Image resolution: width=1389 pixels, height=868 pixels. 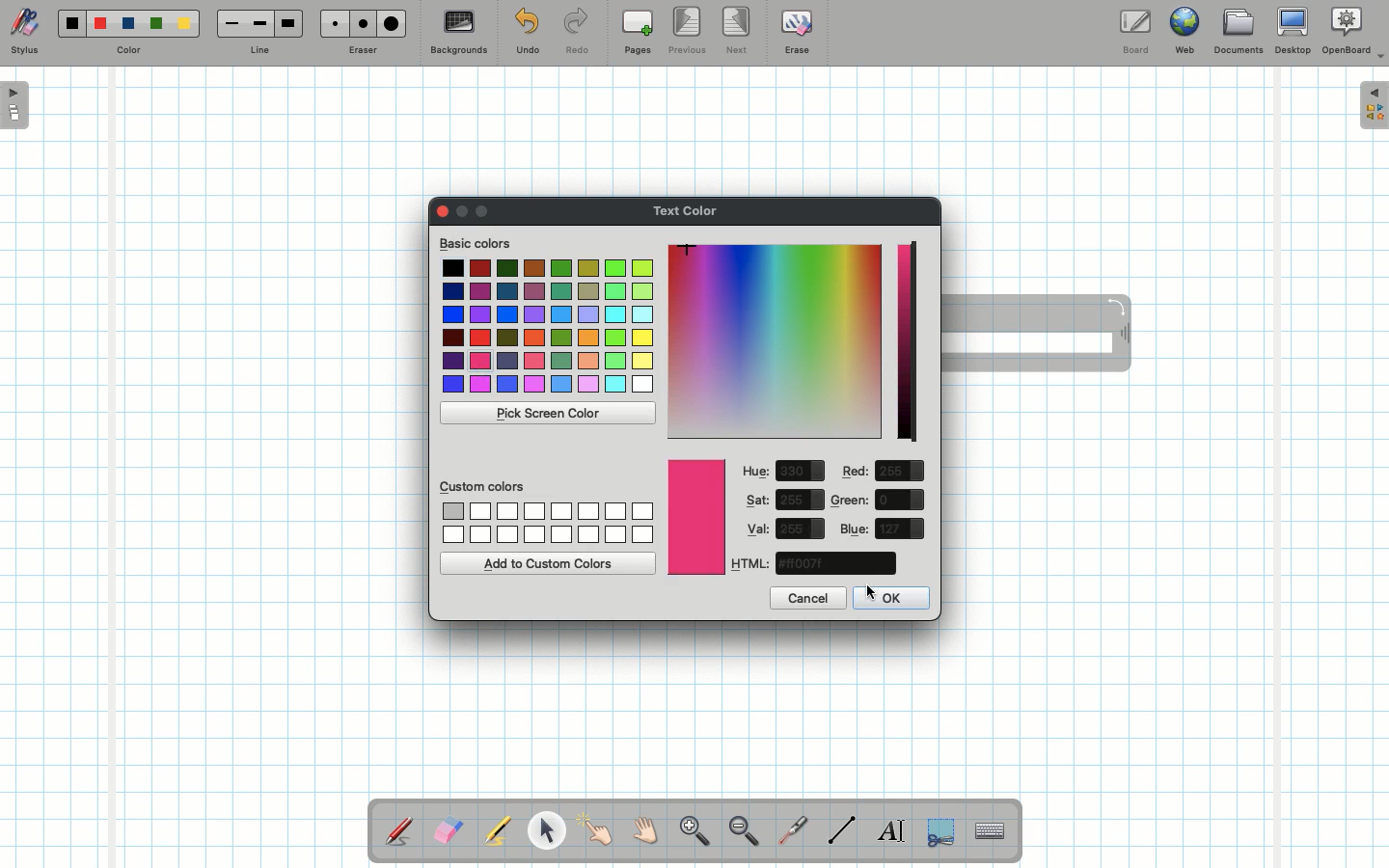 I want to click on Small eraser, so click(x=330, y=23).